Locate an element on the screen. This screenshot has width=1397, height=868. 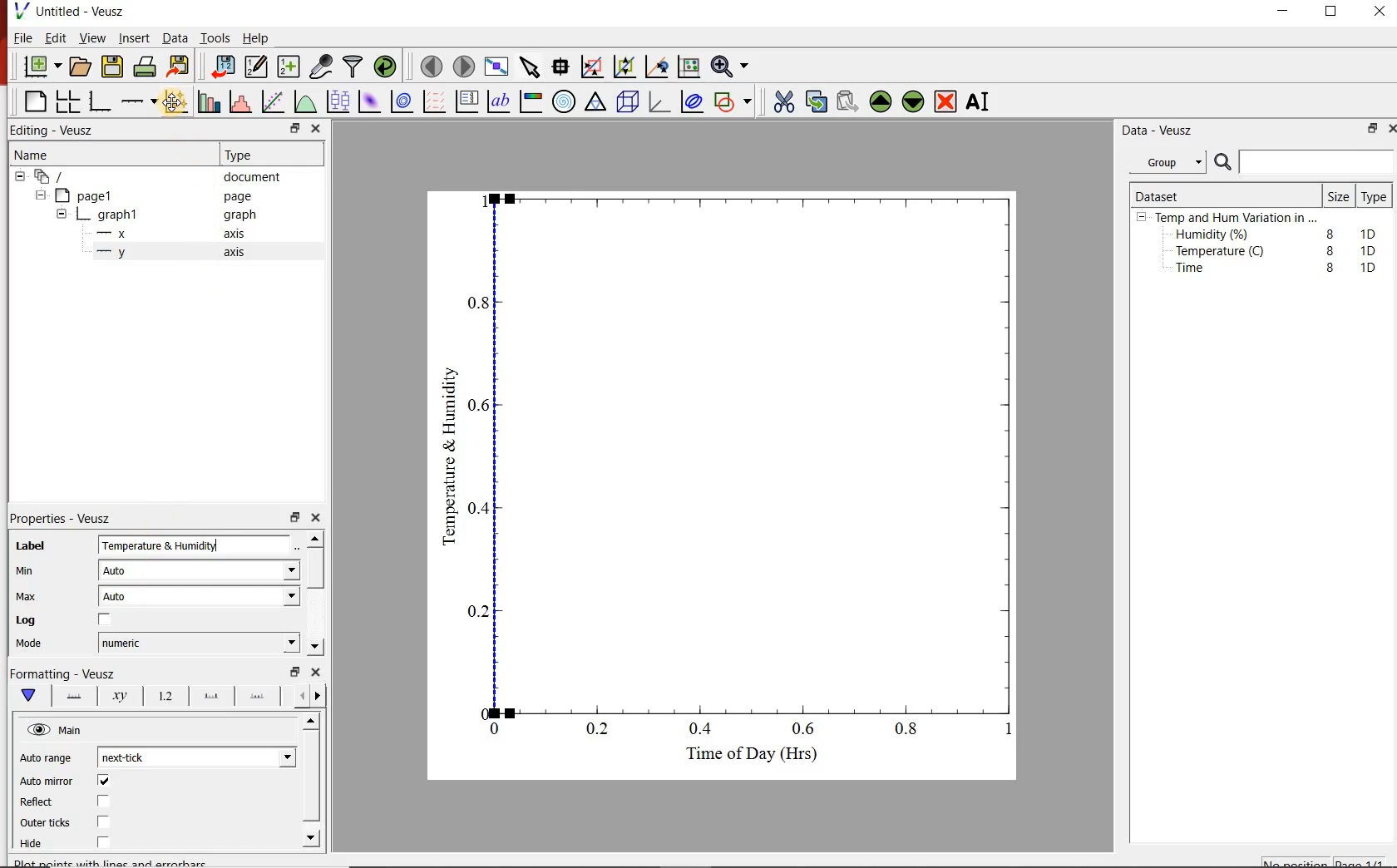
page is located at coordinates (241, 197).